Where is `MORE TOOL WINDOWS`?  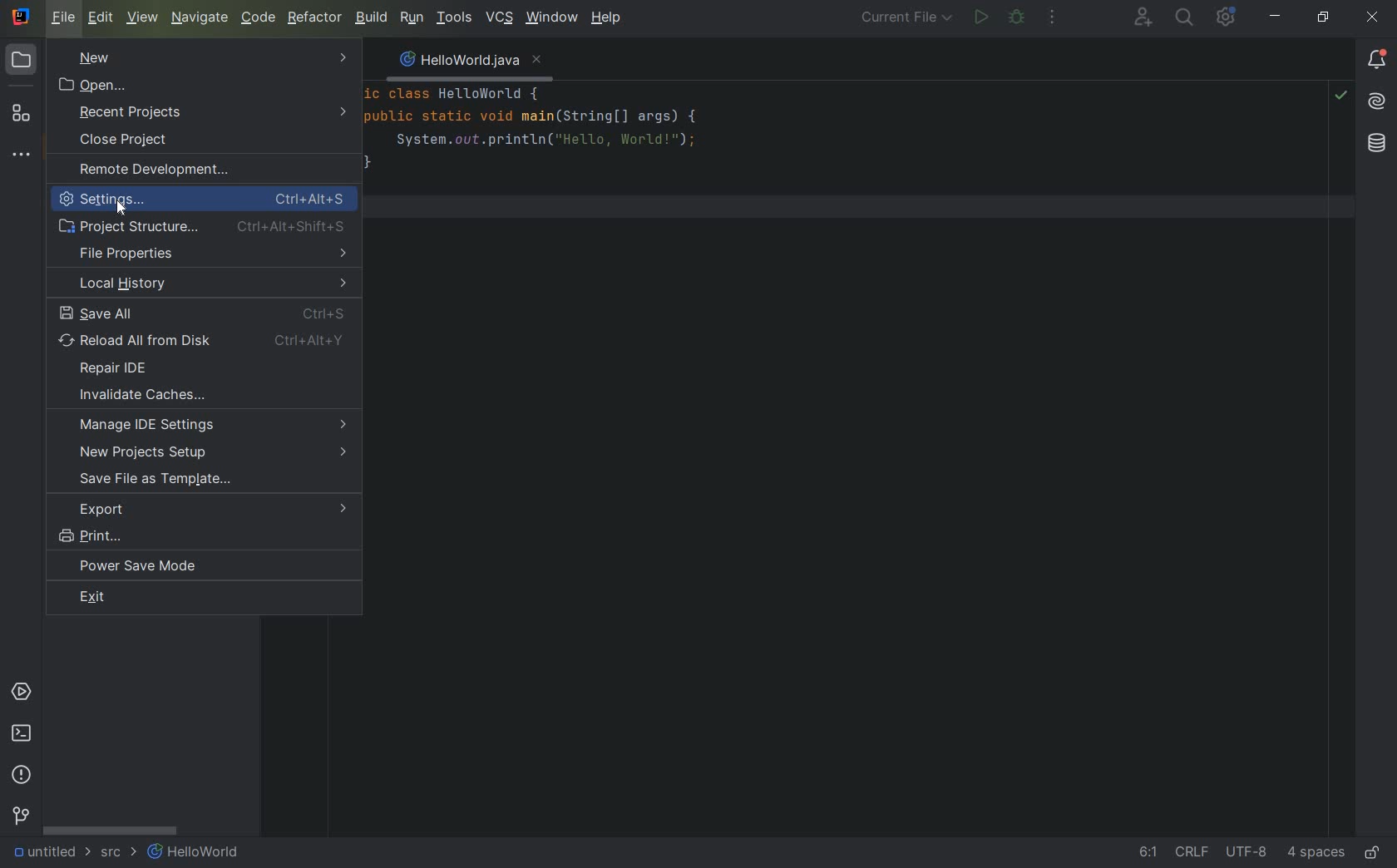
MORE TOOL WINDOWS is located at coordinates (20, 155).